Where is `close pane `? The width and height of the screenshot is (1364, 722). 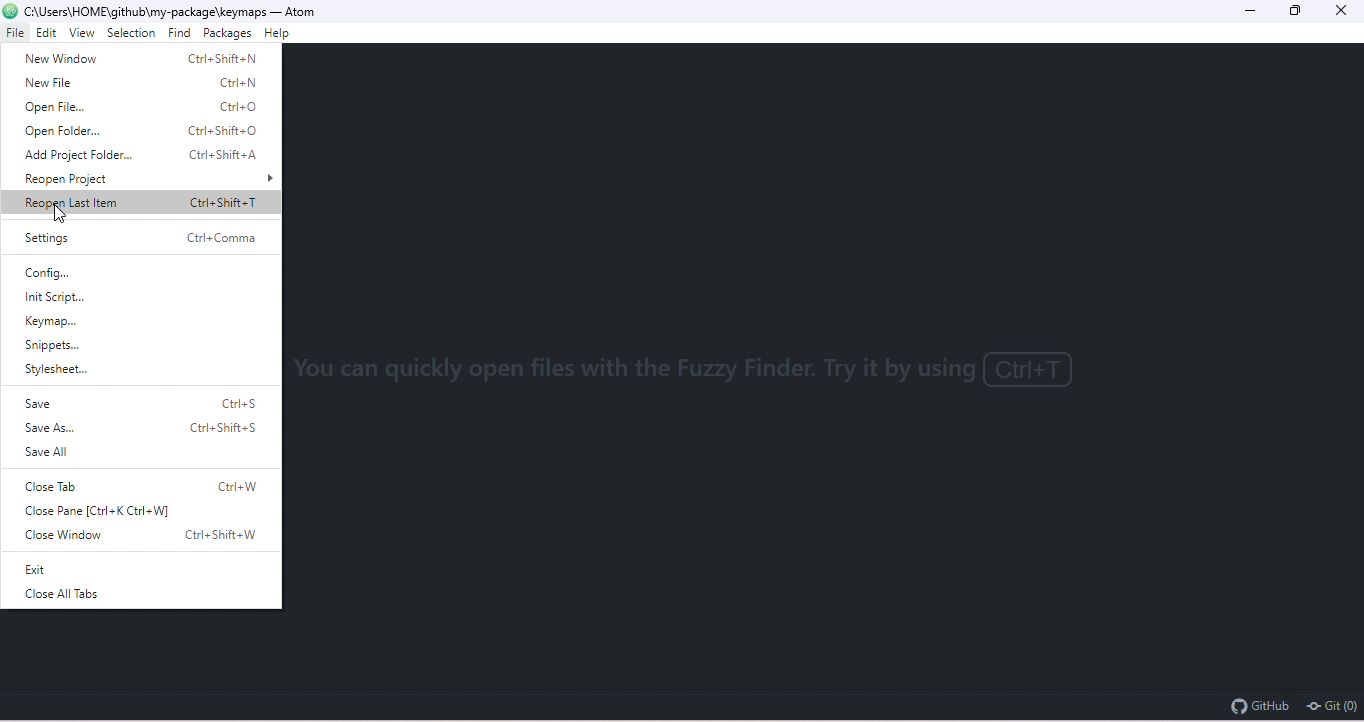
close pane  is located at coordinates (142, 511).